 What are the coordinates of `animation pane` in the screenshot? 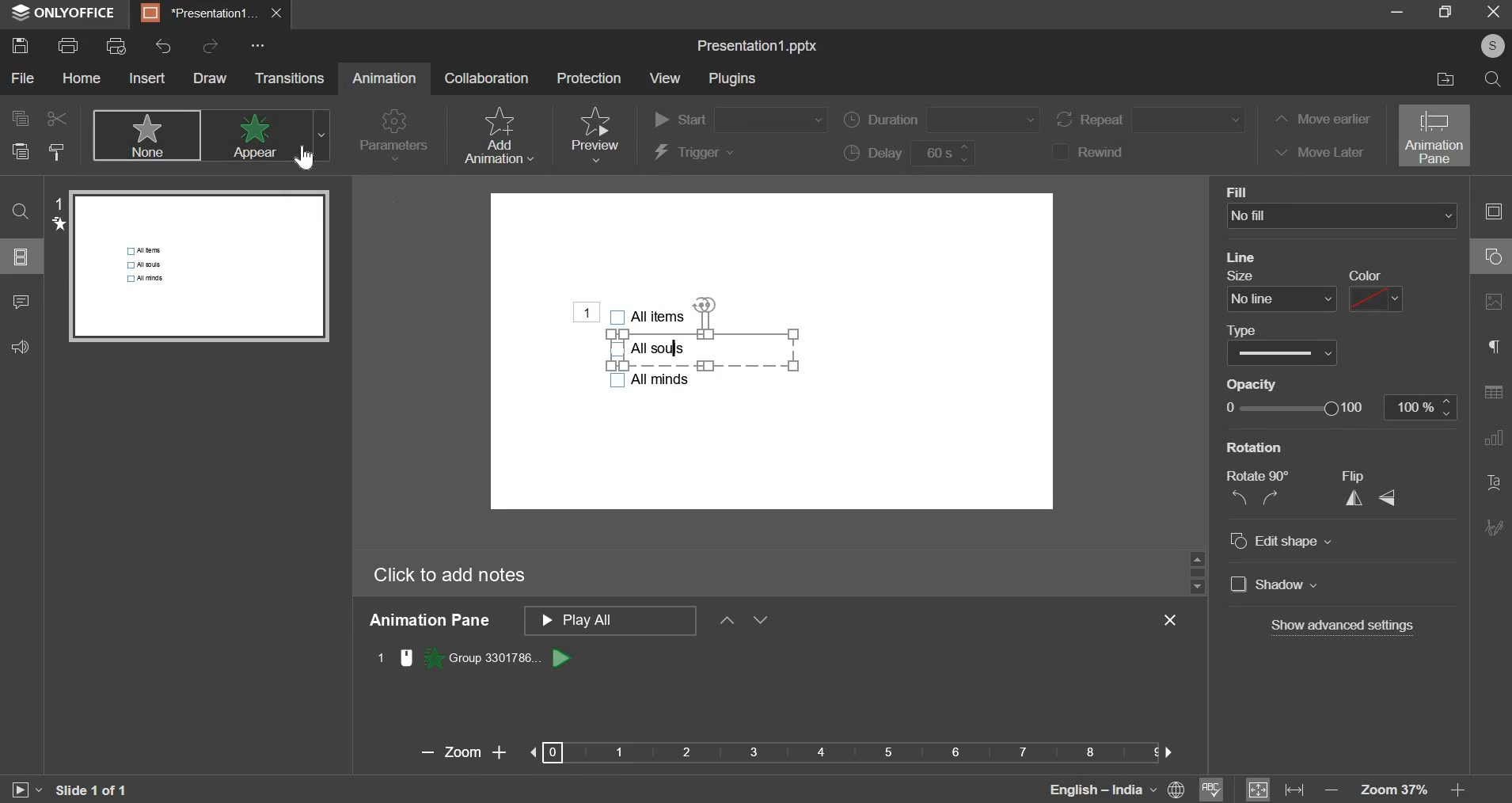 It's located at (1435, 135).